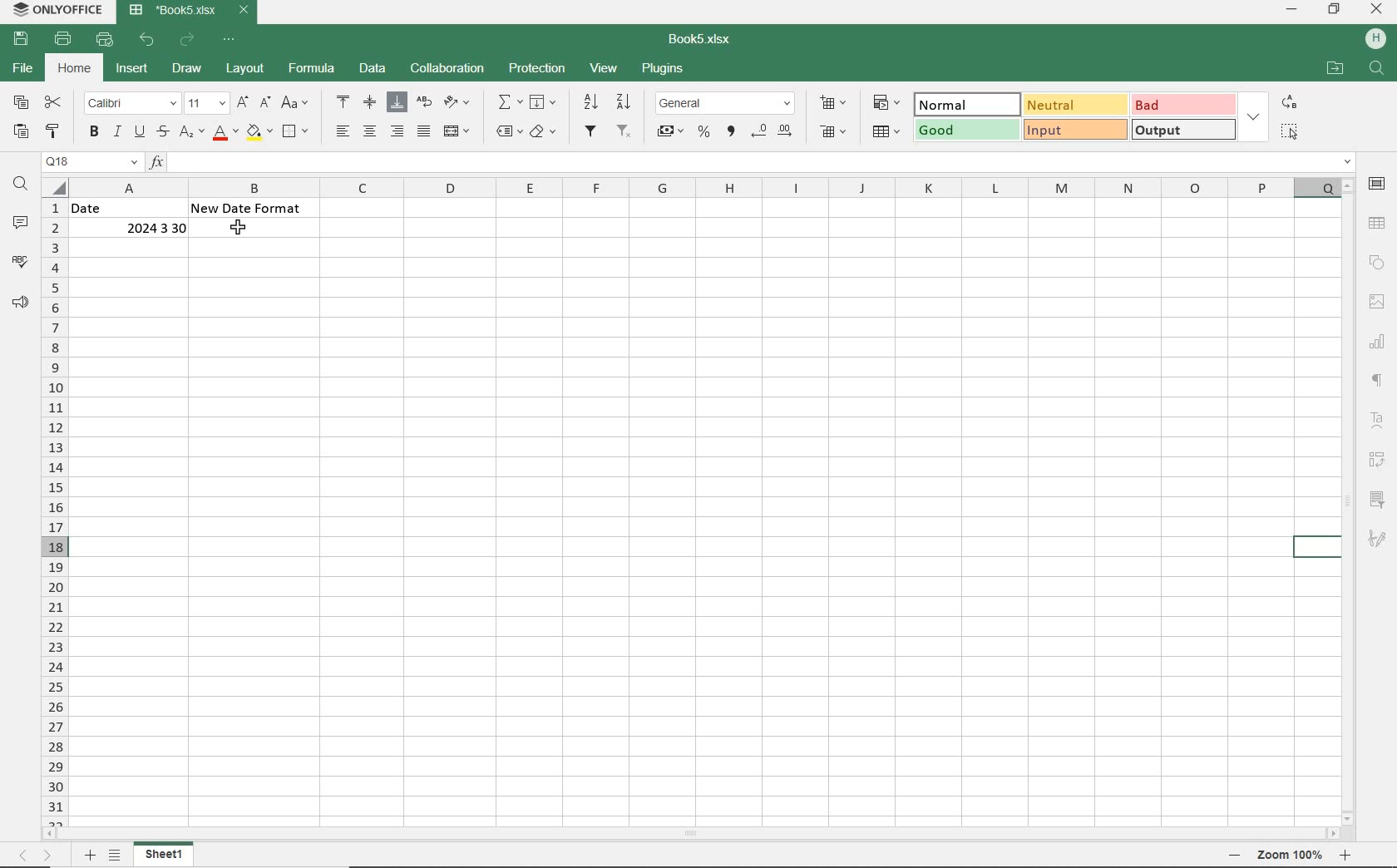 The image size is (1397, 868). Describe the element at coordinates (1378, 70) in the screenshot. I see `FIND` at that location.